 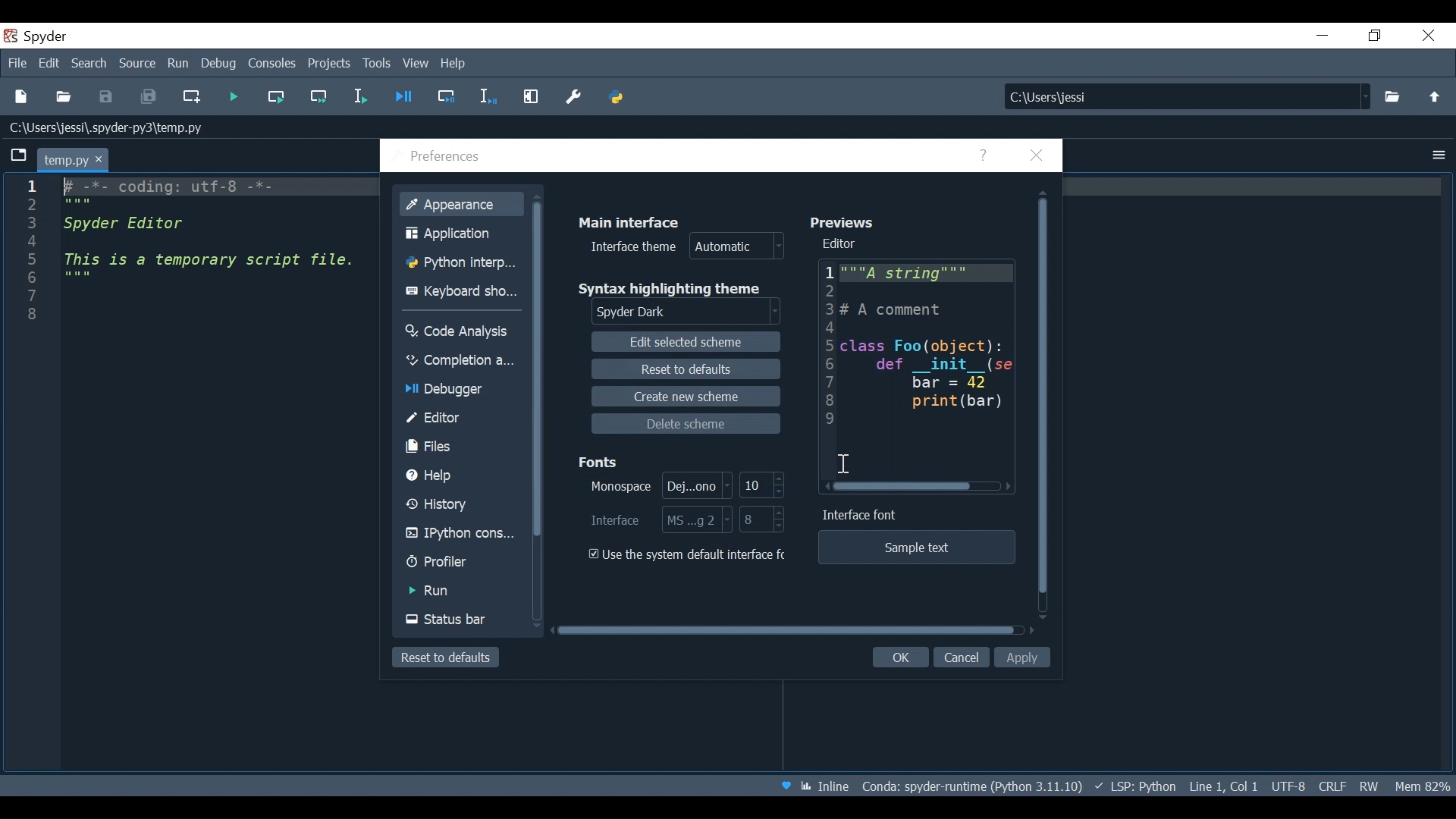 I want to click on Debugger, so click(x=462, y=391).